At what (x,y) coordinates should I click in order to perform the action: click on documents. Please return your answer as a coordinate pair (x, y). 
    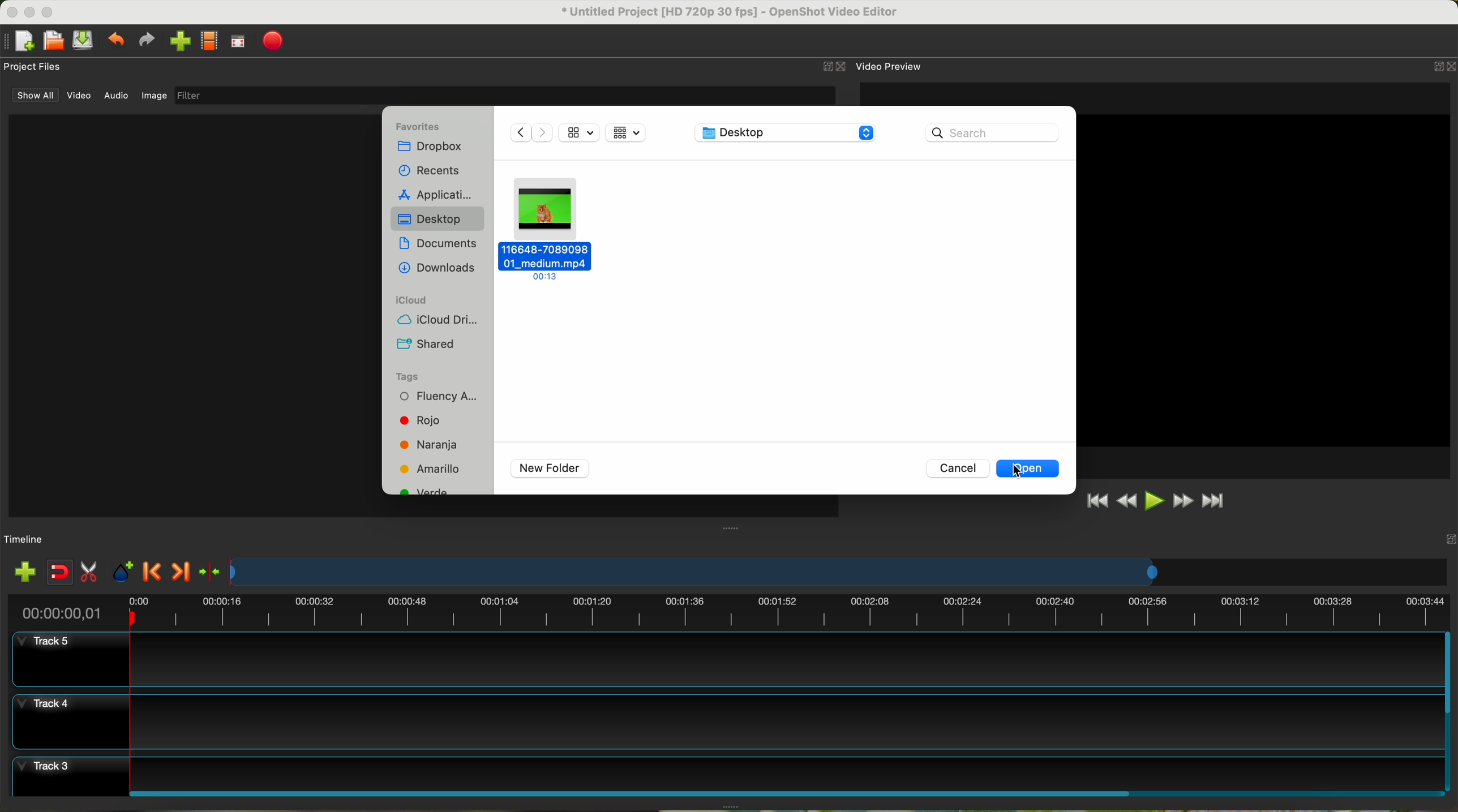
    Looking at the image, I should click on (439, 246).